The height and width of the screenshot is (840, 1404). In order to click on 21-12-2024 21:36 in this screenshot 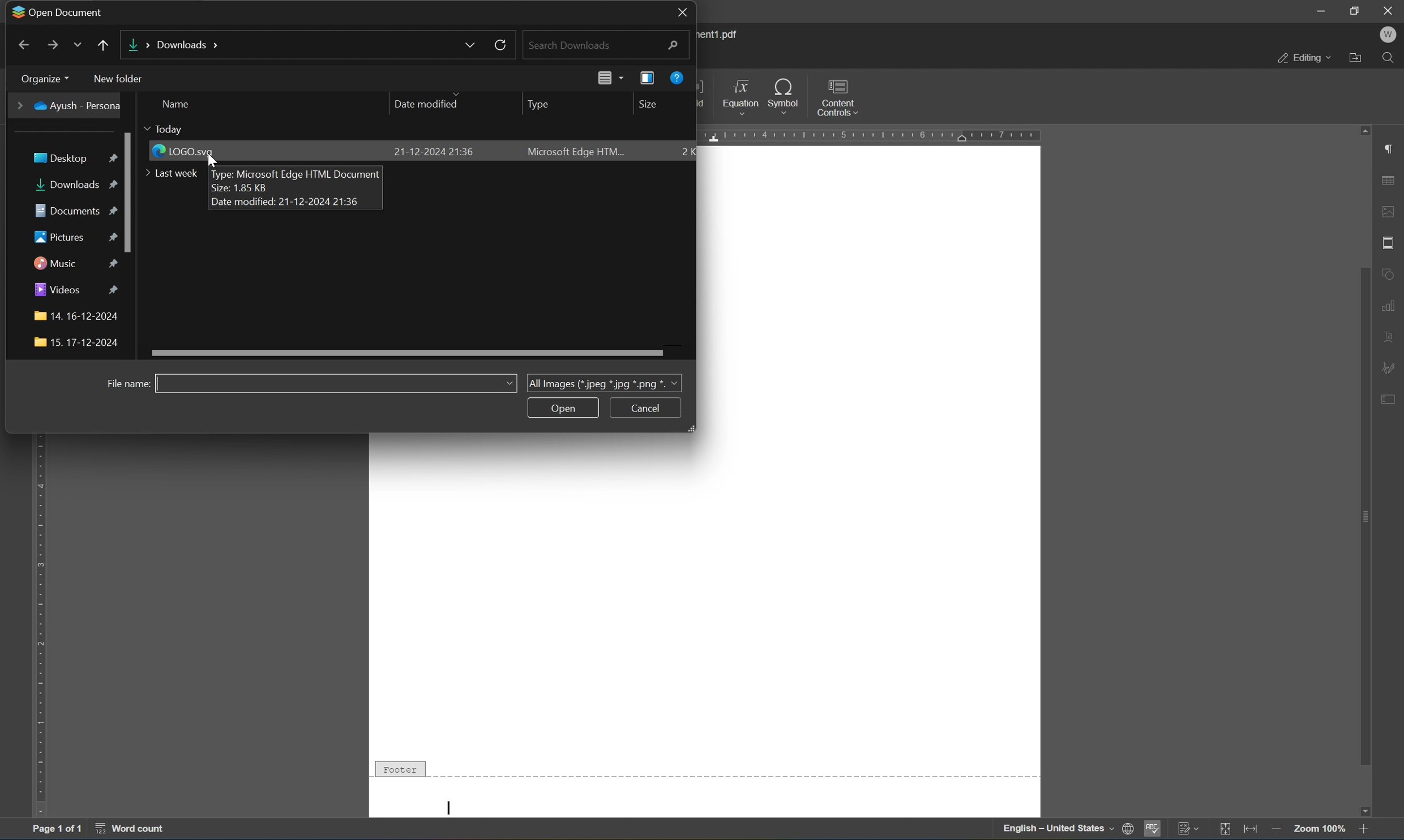, I will do `click(432, 149)`.